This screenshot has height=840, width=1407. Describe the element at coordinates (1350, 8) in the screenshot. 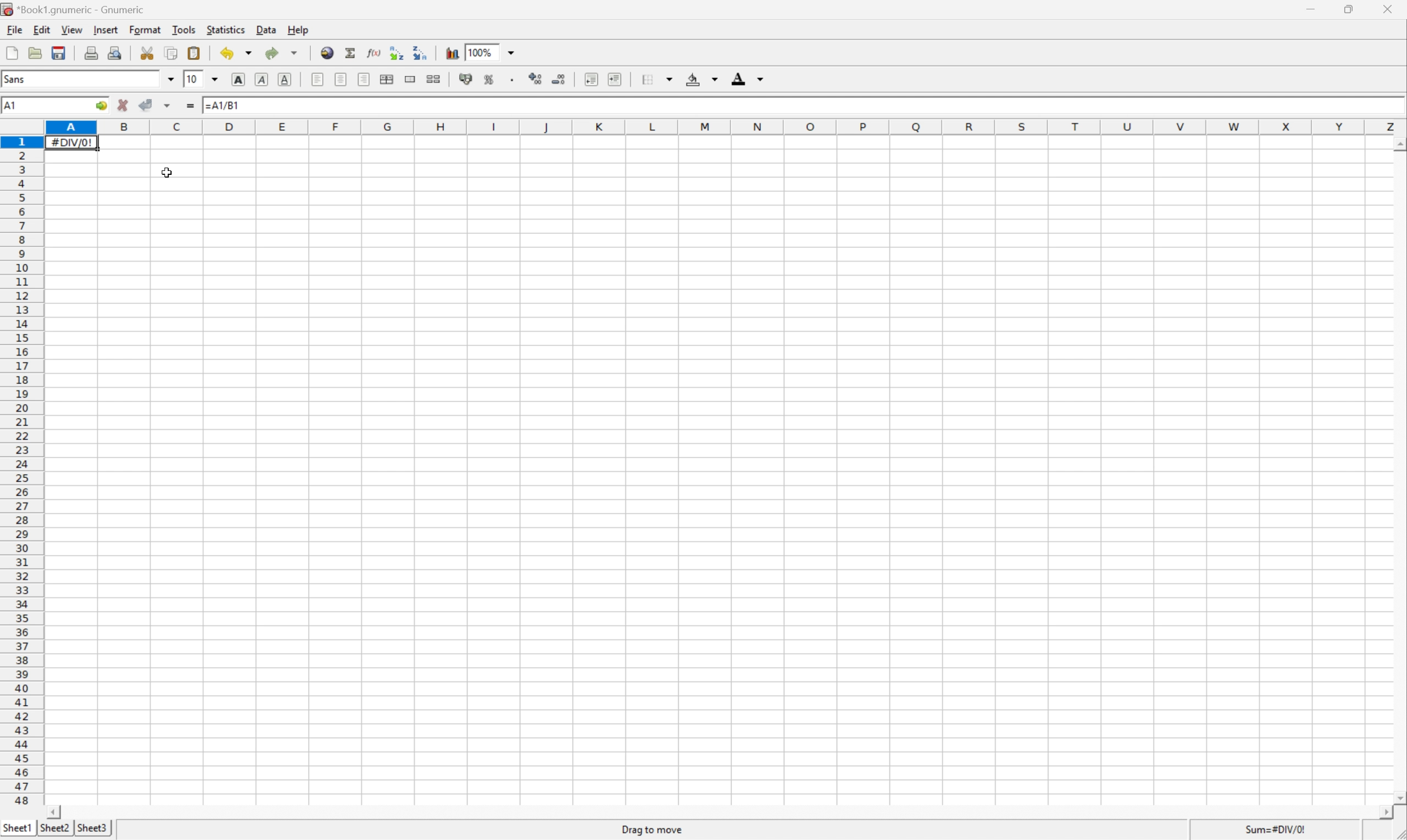

I see `Restore down` at that location.